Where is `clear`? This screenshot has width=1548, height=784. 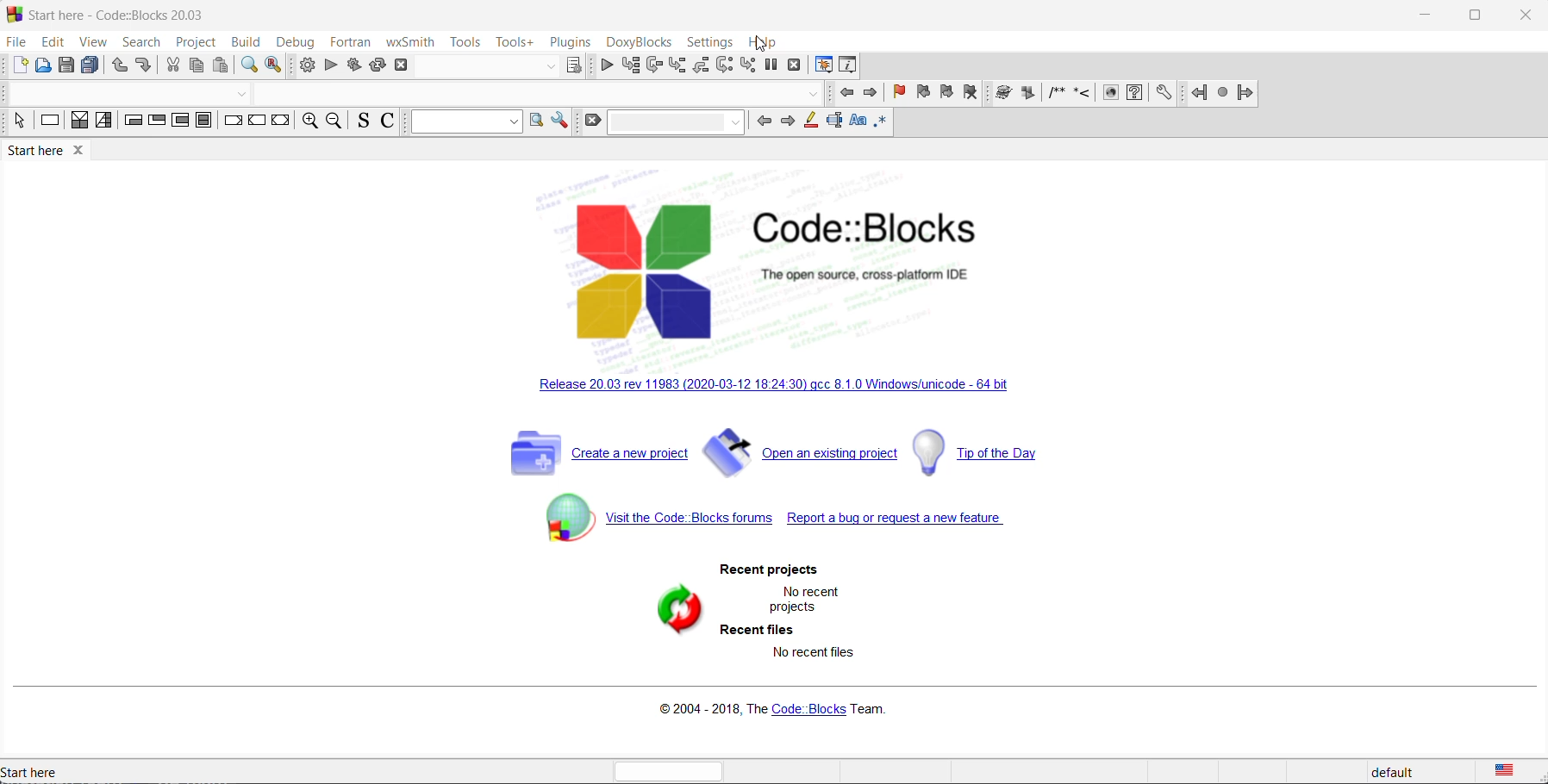
clear is located at coordinates (594, 124).